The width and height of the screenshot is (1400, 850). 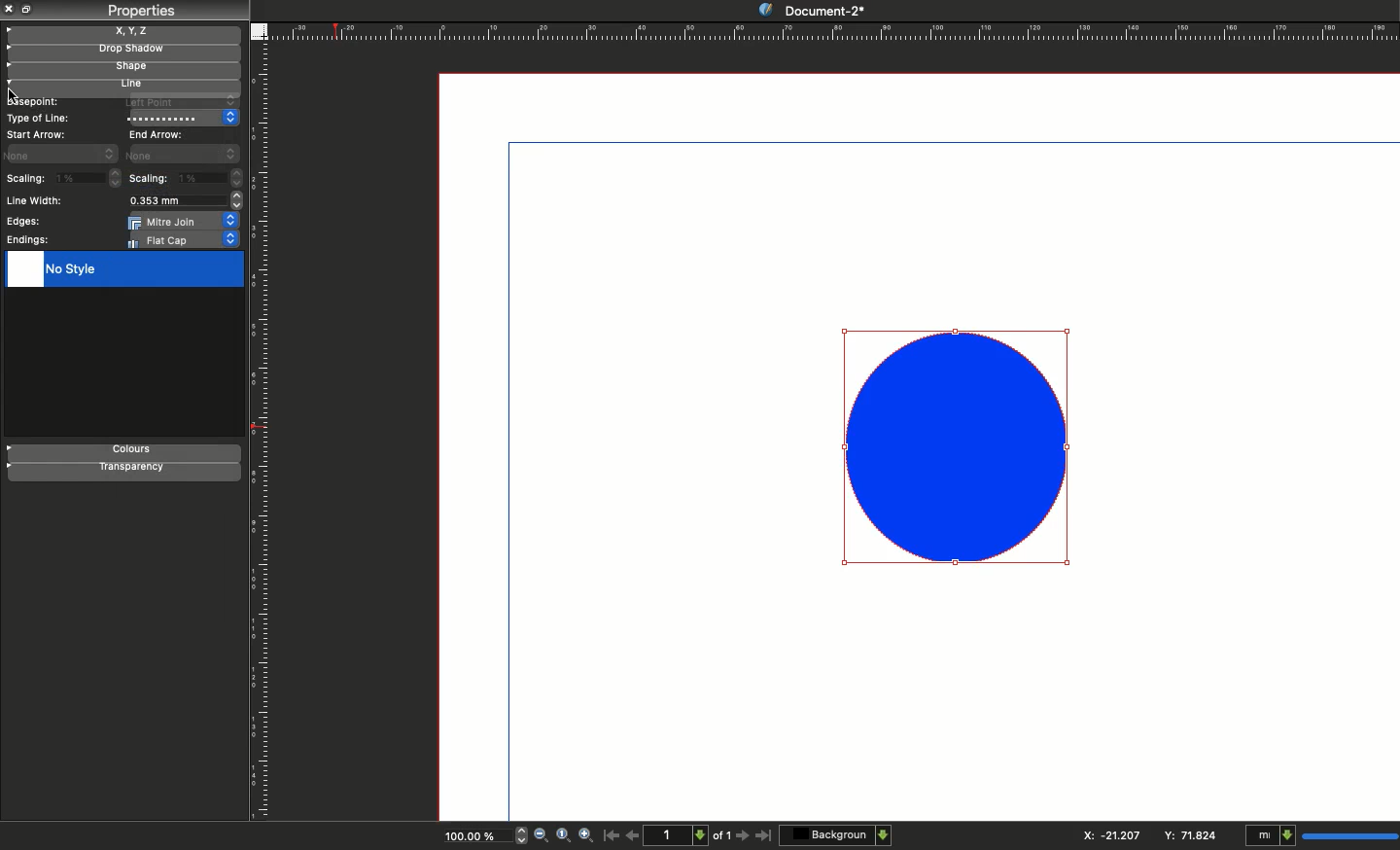 I want to click on Start arrow, so click(x=38, y=134).